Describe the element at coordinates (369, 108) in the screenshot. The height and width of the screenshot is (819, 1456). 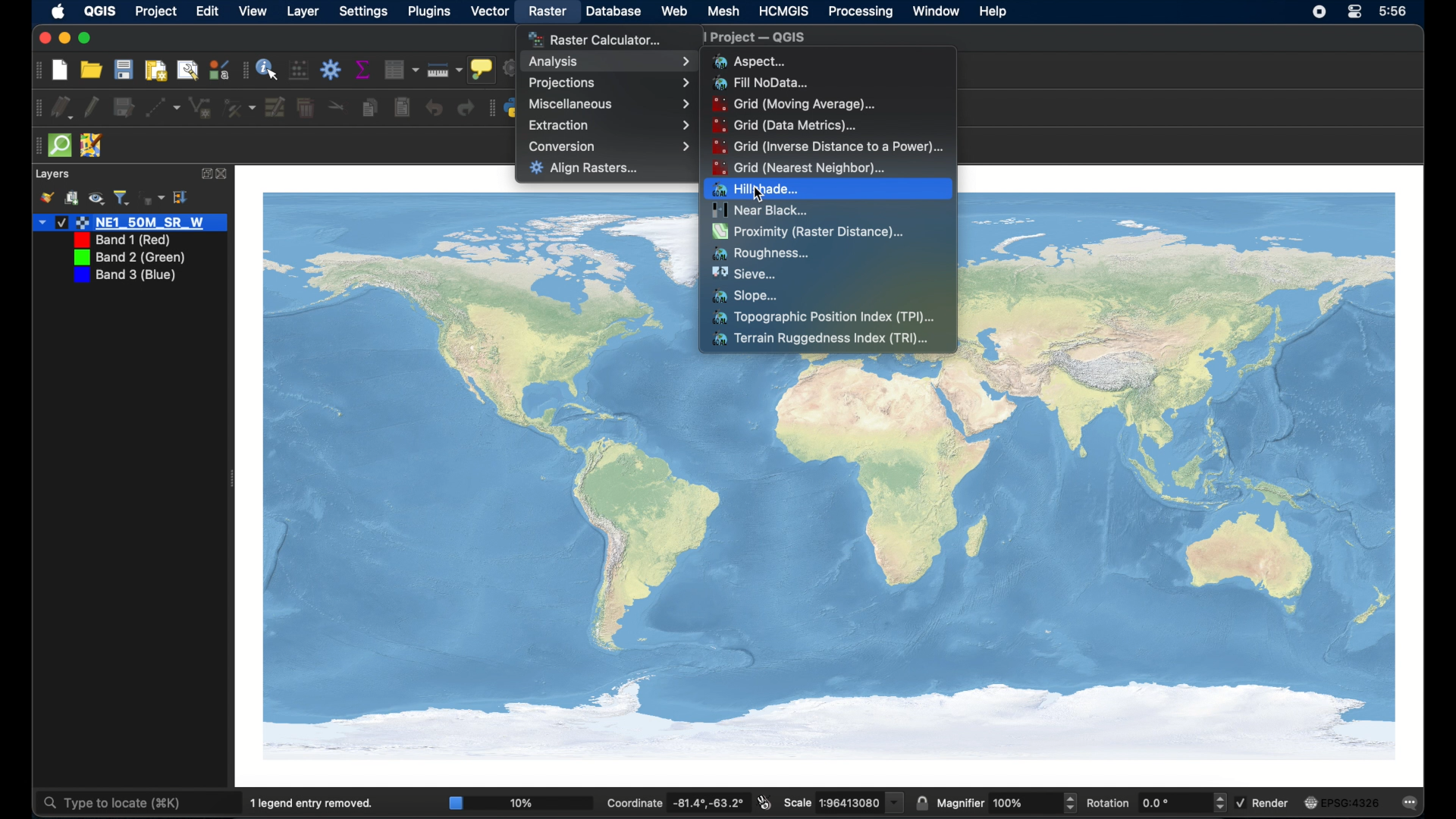
I see `copy` at that location.